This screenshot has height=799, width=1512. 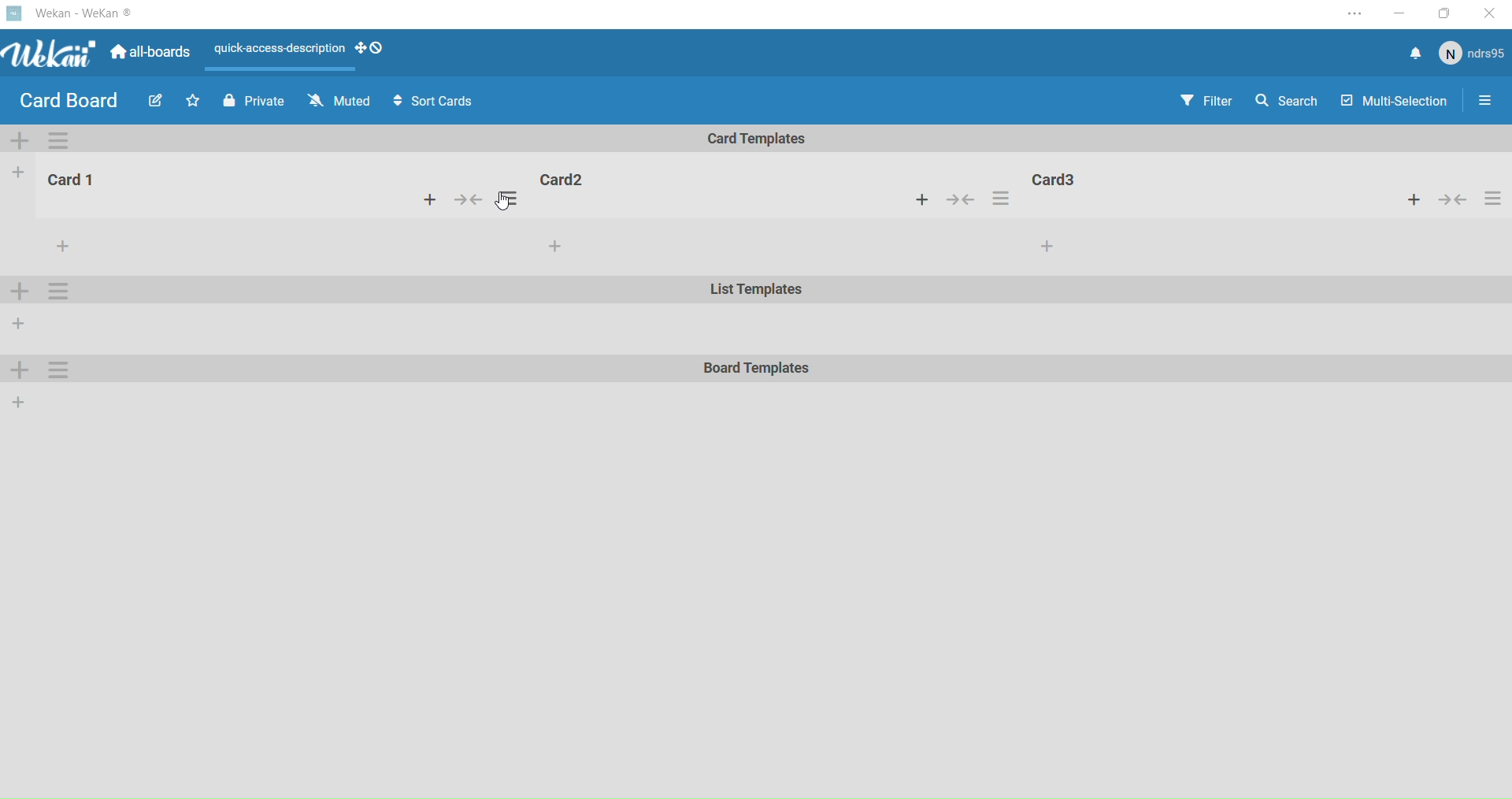 I want to click on Settings, so click(x=58, y=139).